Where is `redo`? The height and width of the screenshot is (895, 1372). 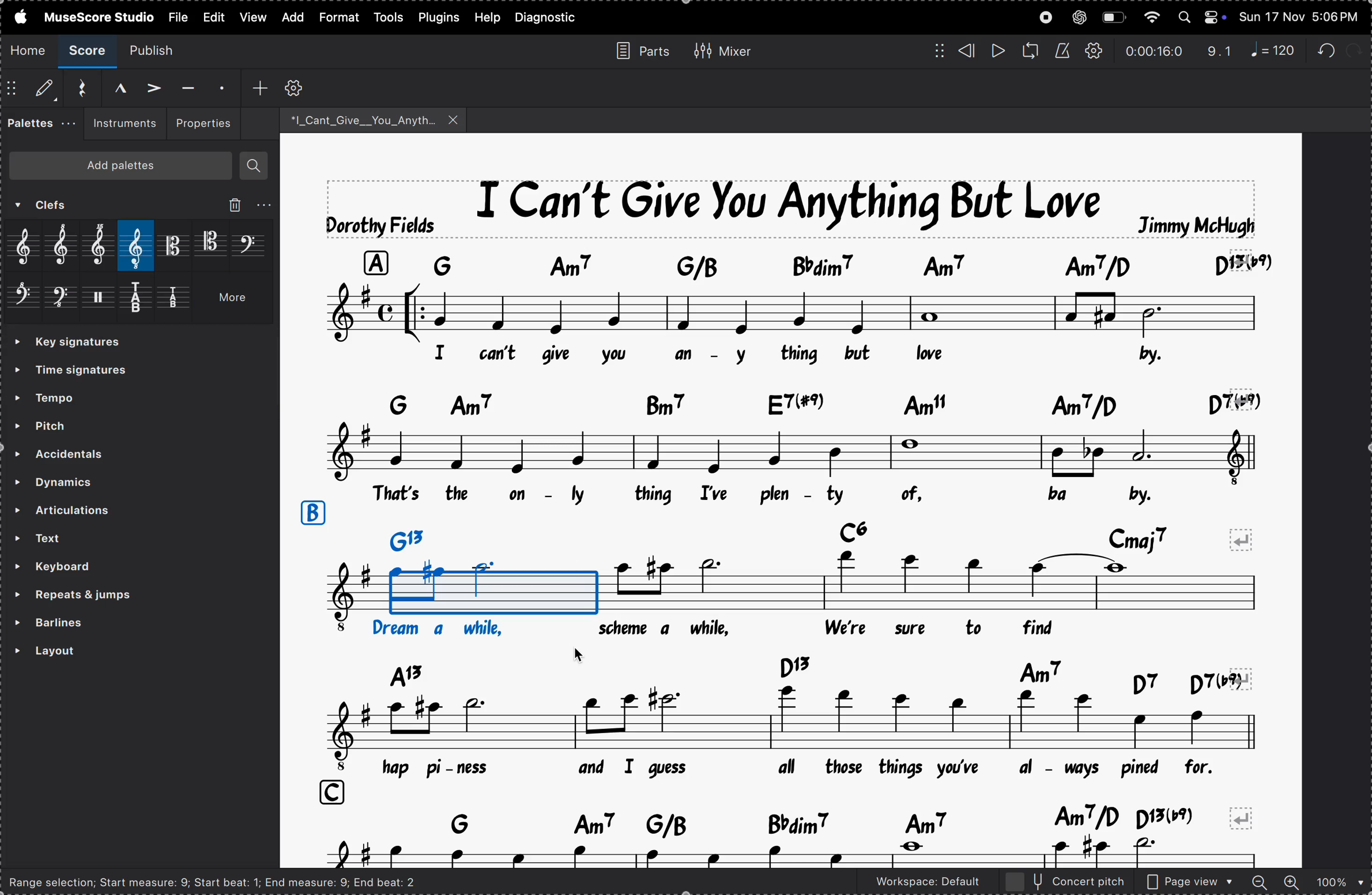 redo is located at coordinates (1329, 48).